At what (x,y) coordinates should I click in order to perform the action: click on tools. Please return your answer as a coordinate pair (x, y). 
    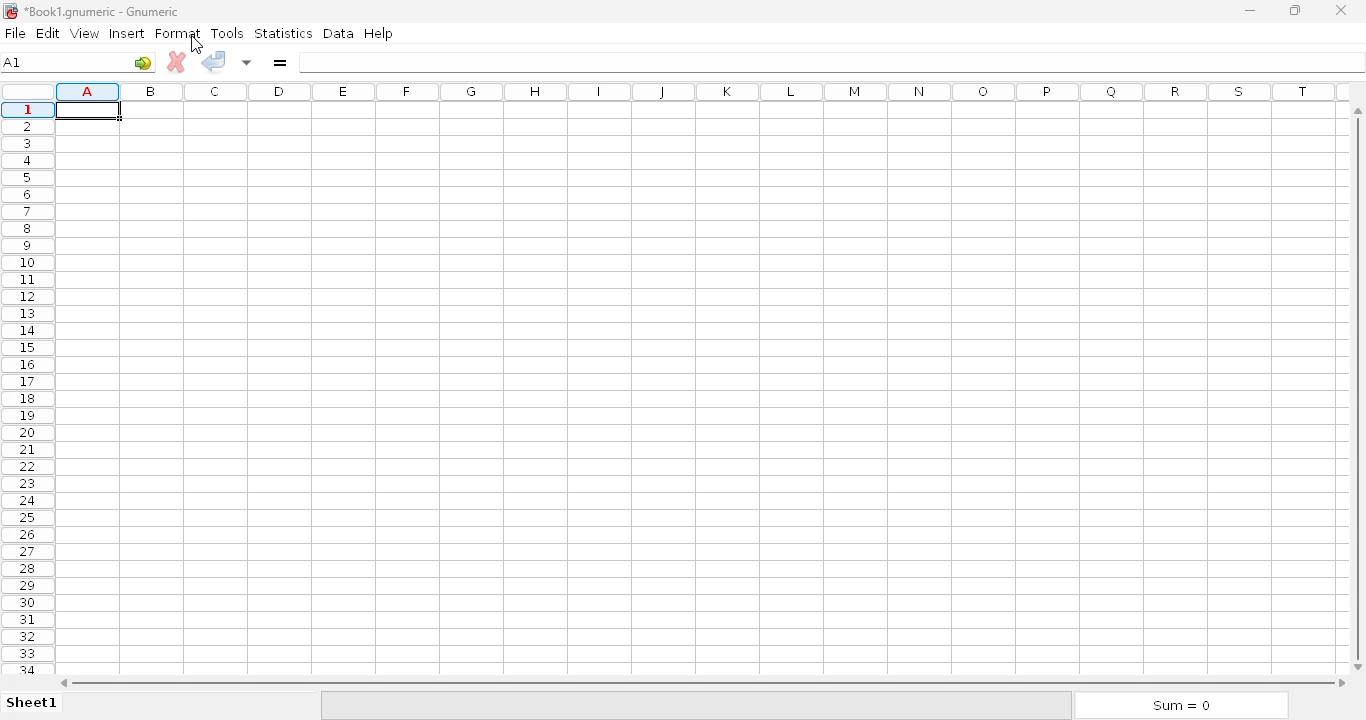
    Looking at the image, I should click on (228, 33).